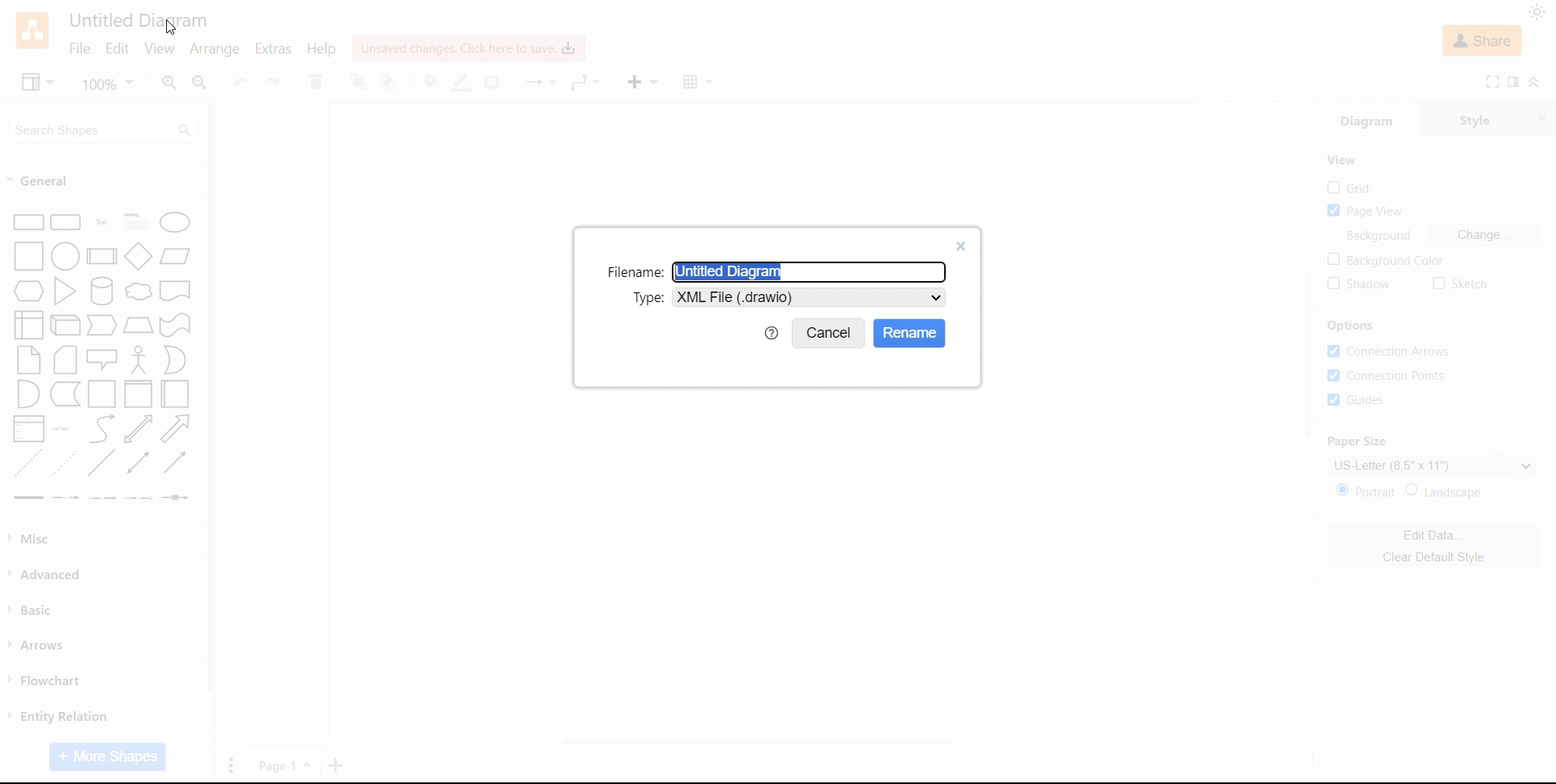 Image resolution: width=1556 pixels, height=784 pixels. Describe the element at coordinates (1366, 211) in the screenshot. I see `Page view ` at that location.